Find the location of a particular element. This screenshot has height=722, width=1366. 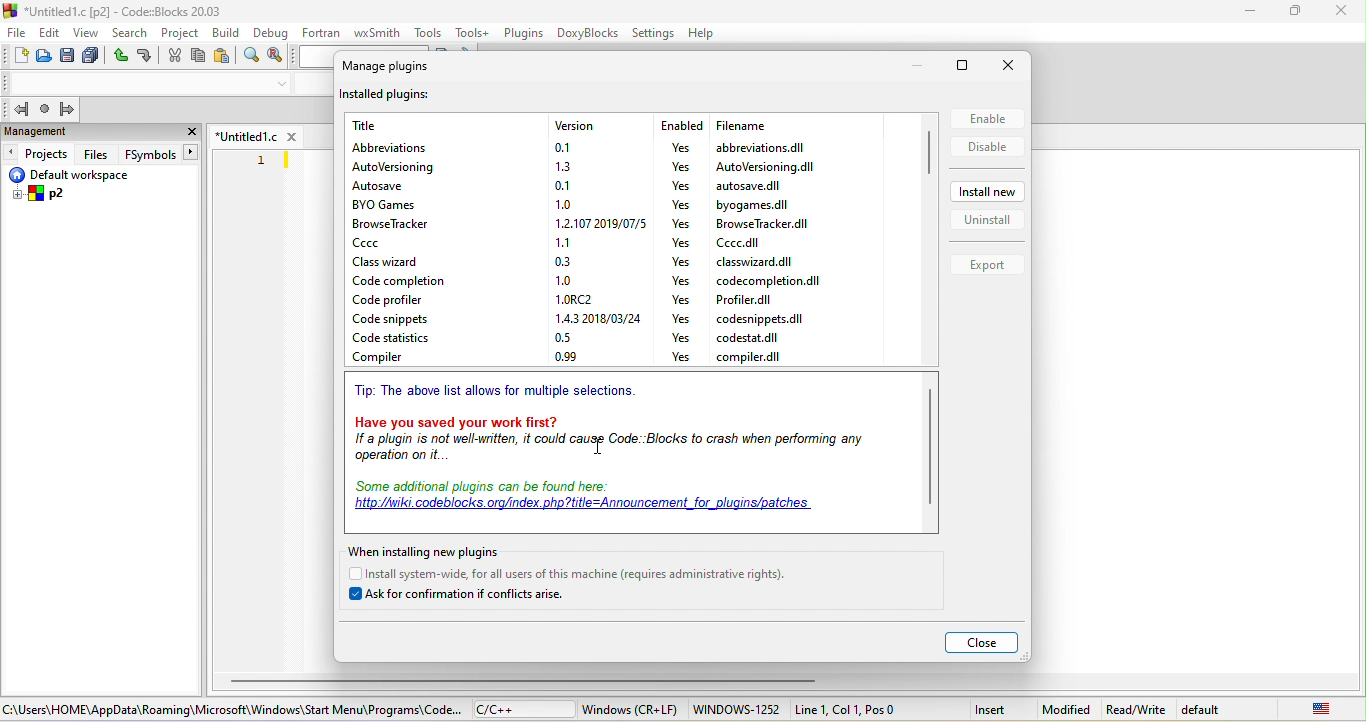

close is located at coordinates (191, 133).